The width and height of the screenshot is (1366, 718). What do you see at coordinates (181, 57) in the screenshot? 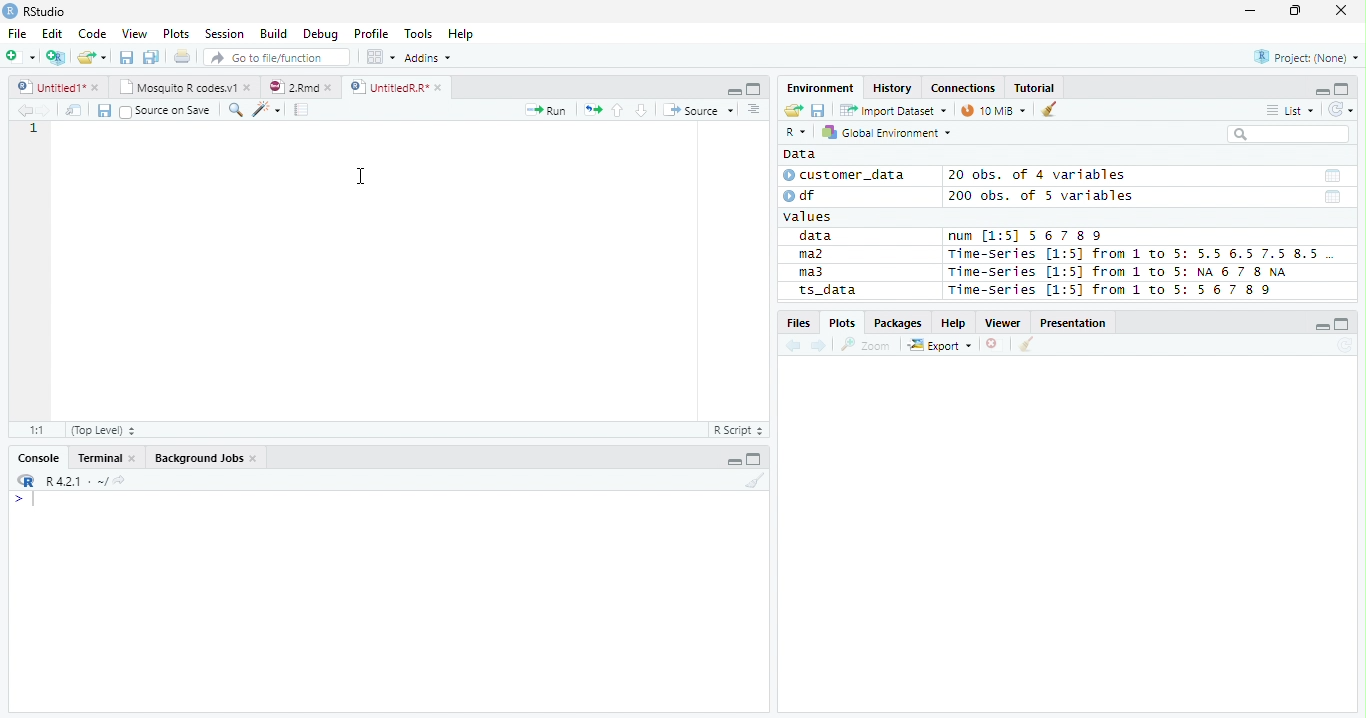
I see `Print` at bounding box center [181, 57].